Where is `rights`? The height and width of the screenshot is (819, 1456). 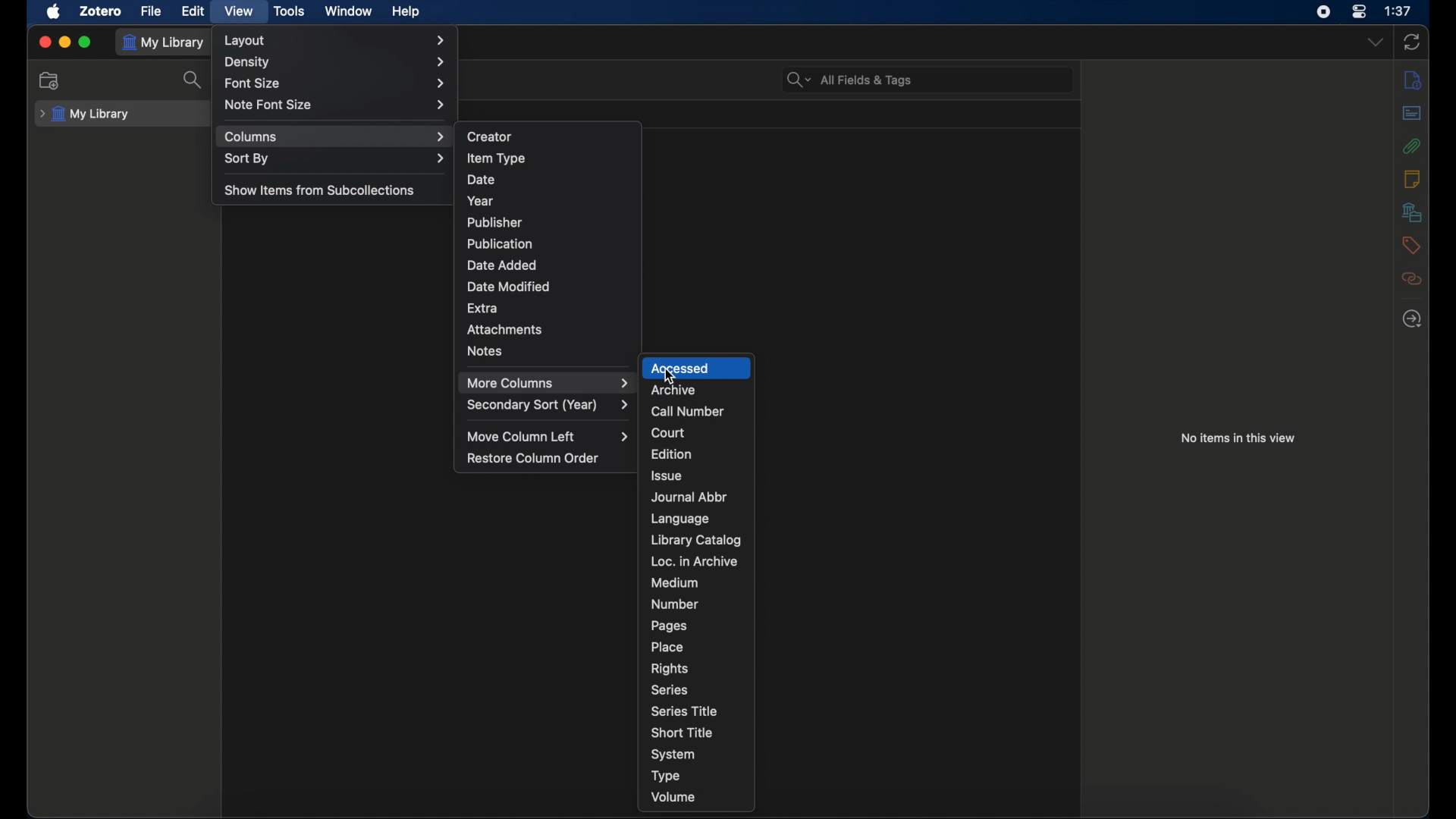 rights is located at coordinates (670, 668).